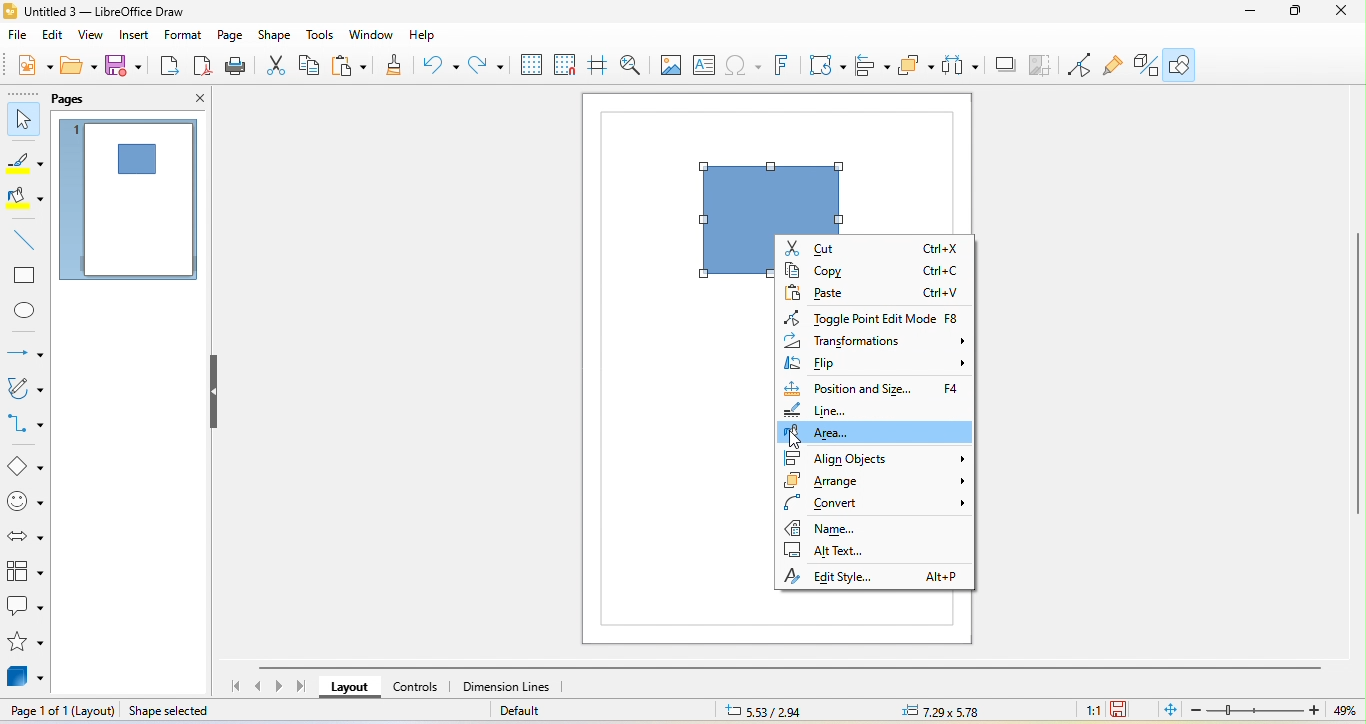 The height and width of the screenshot is (724, 1366). I want to click on first page, so click(231, 686).